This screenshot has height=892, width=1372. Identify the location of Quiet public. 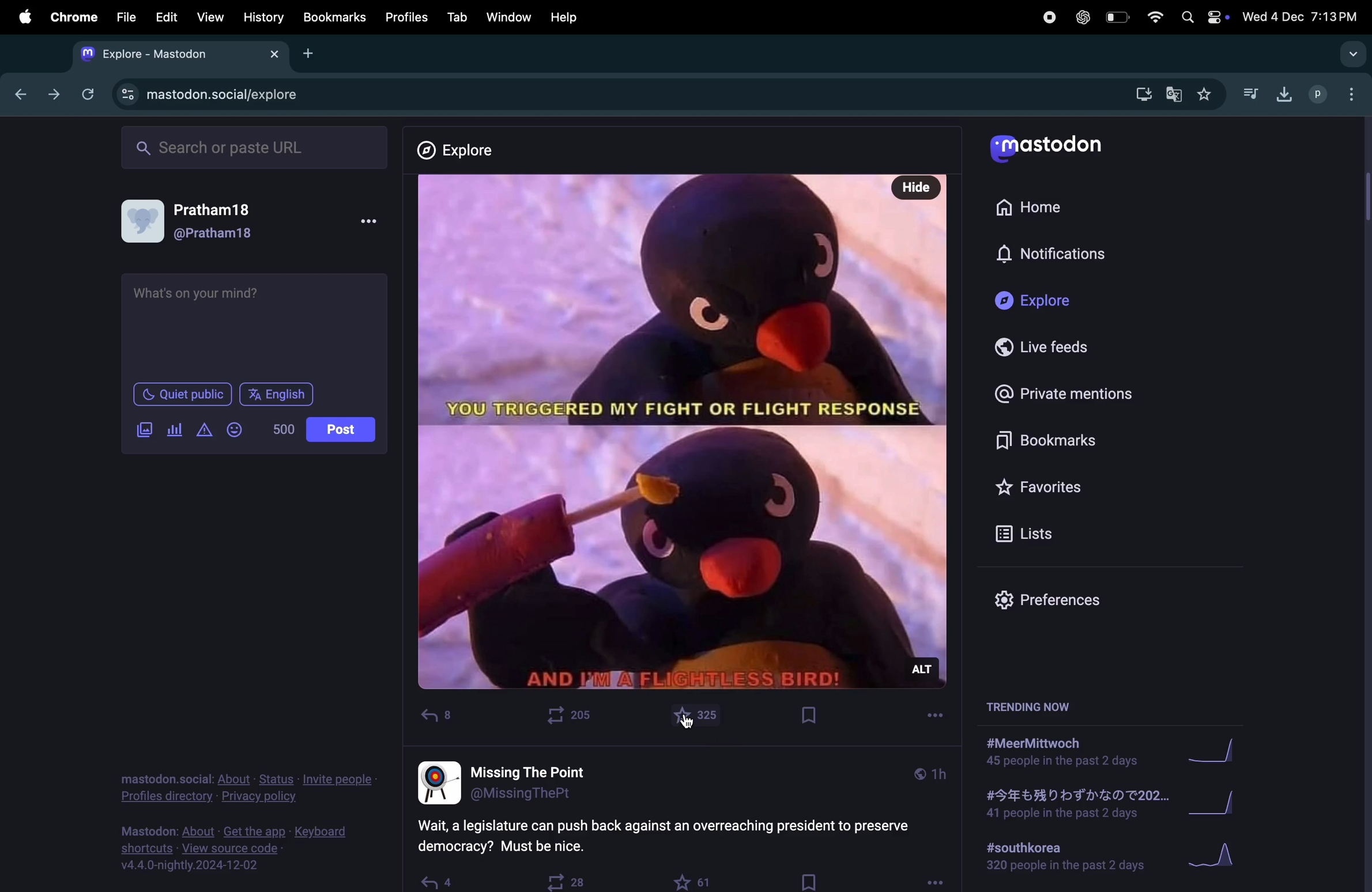
(183, 394).